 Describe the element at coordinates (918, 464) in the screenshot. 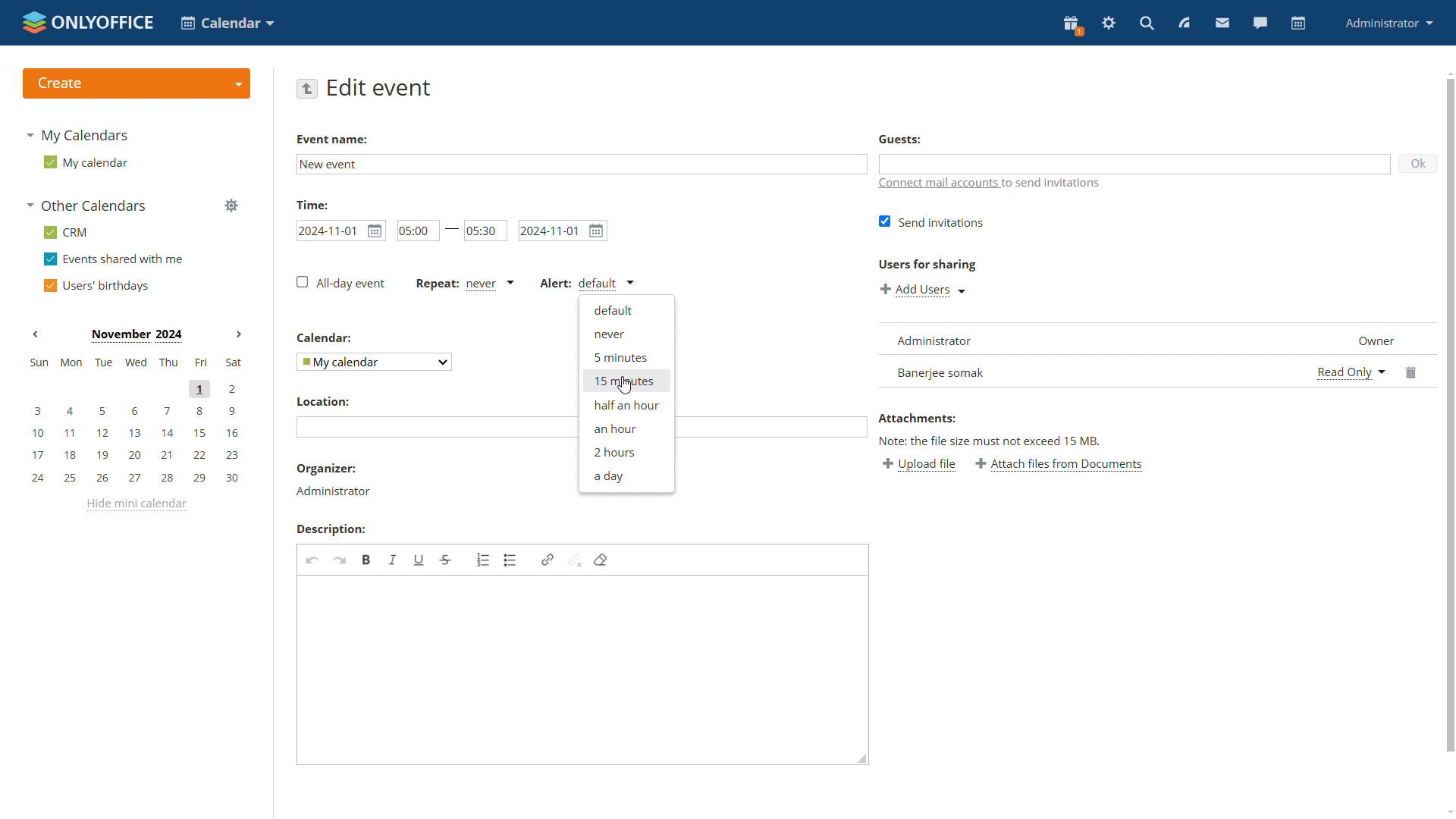

I see `upload file` at that location.